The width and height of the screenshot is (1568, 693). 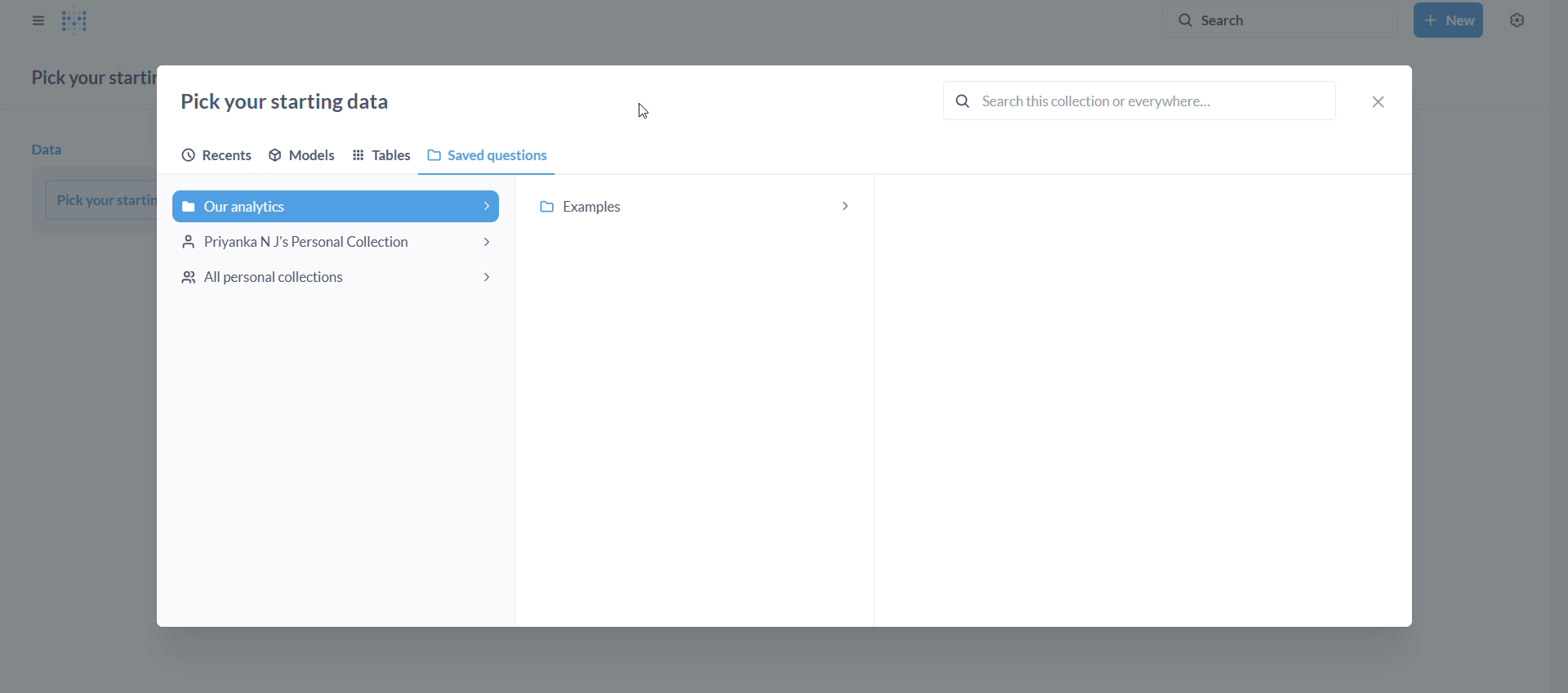 What do you see at coordinates (338, 241) in the screenshot?
I see `priyanka N J's personal collection` at bounding box center [338, 241].